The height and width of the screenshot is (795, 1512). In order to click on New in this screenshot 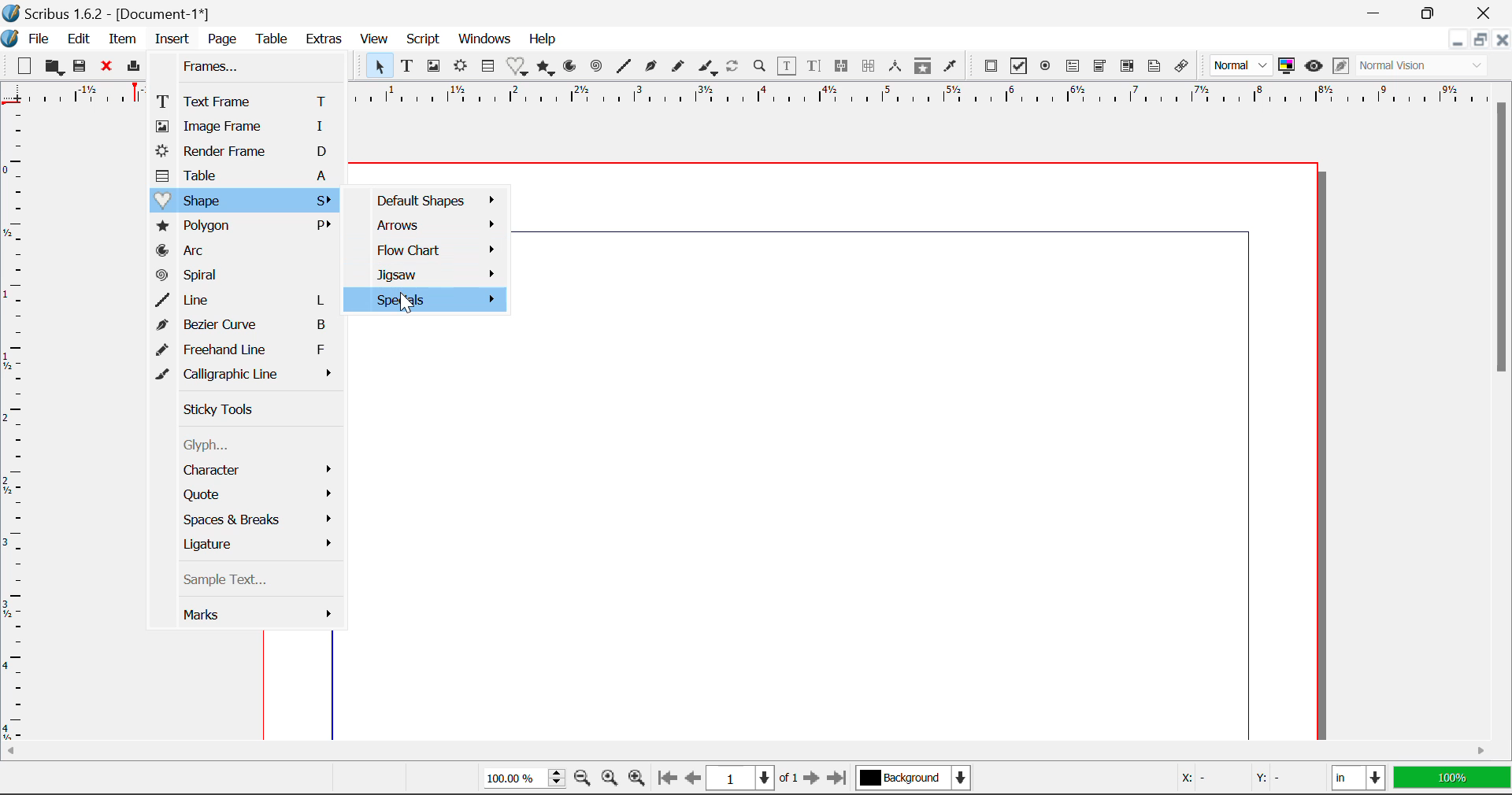, I will do `click(24, 68)`.